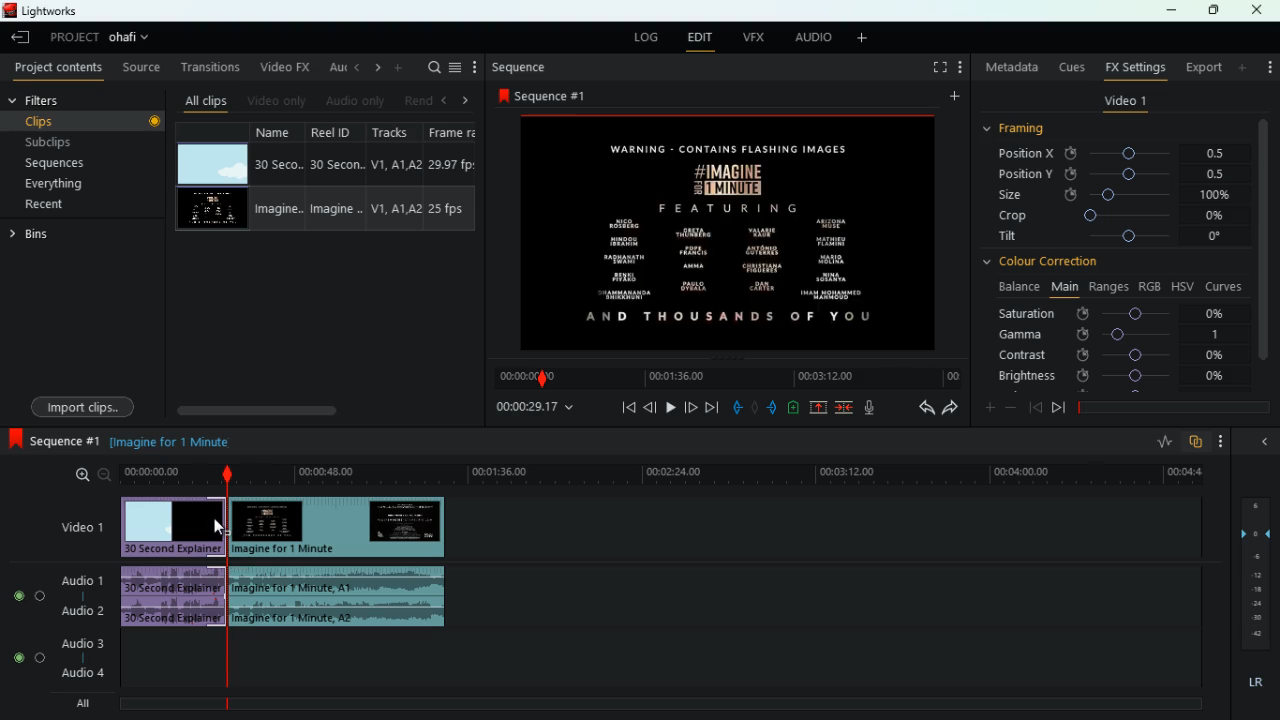 This screenshot has height=720, width=1280. What do you see at coordinates (66, 204) in the screenshot?
I see `recent` at bounding box center [66, 204].